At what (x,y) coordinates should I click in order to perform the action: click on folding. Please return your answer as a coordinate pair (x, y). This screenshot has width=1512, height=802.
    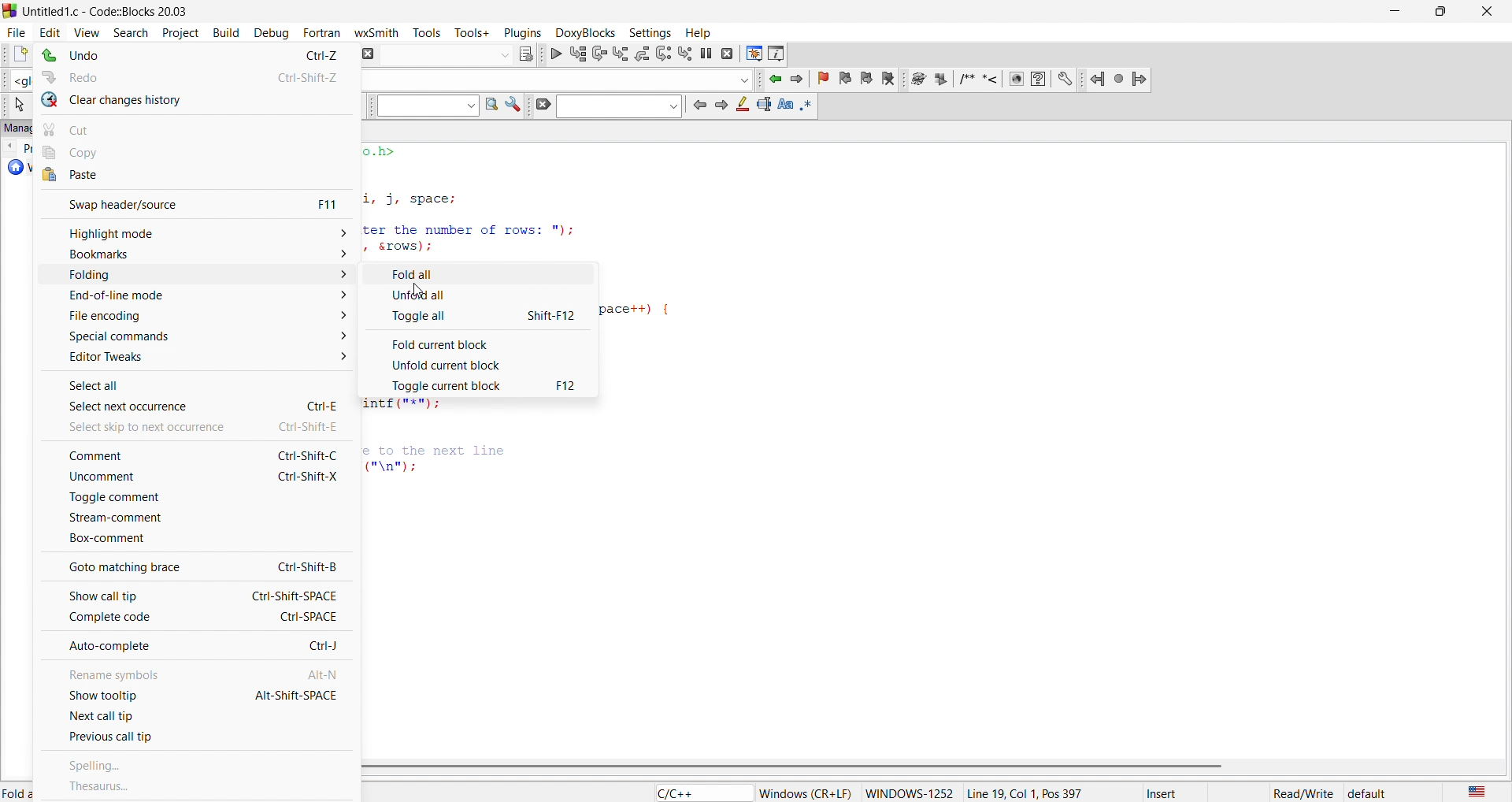
    Looking at the image, I should click on (195, 276).